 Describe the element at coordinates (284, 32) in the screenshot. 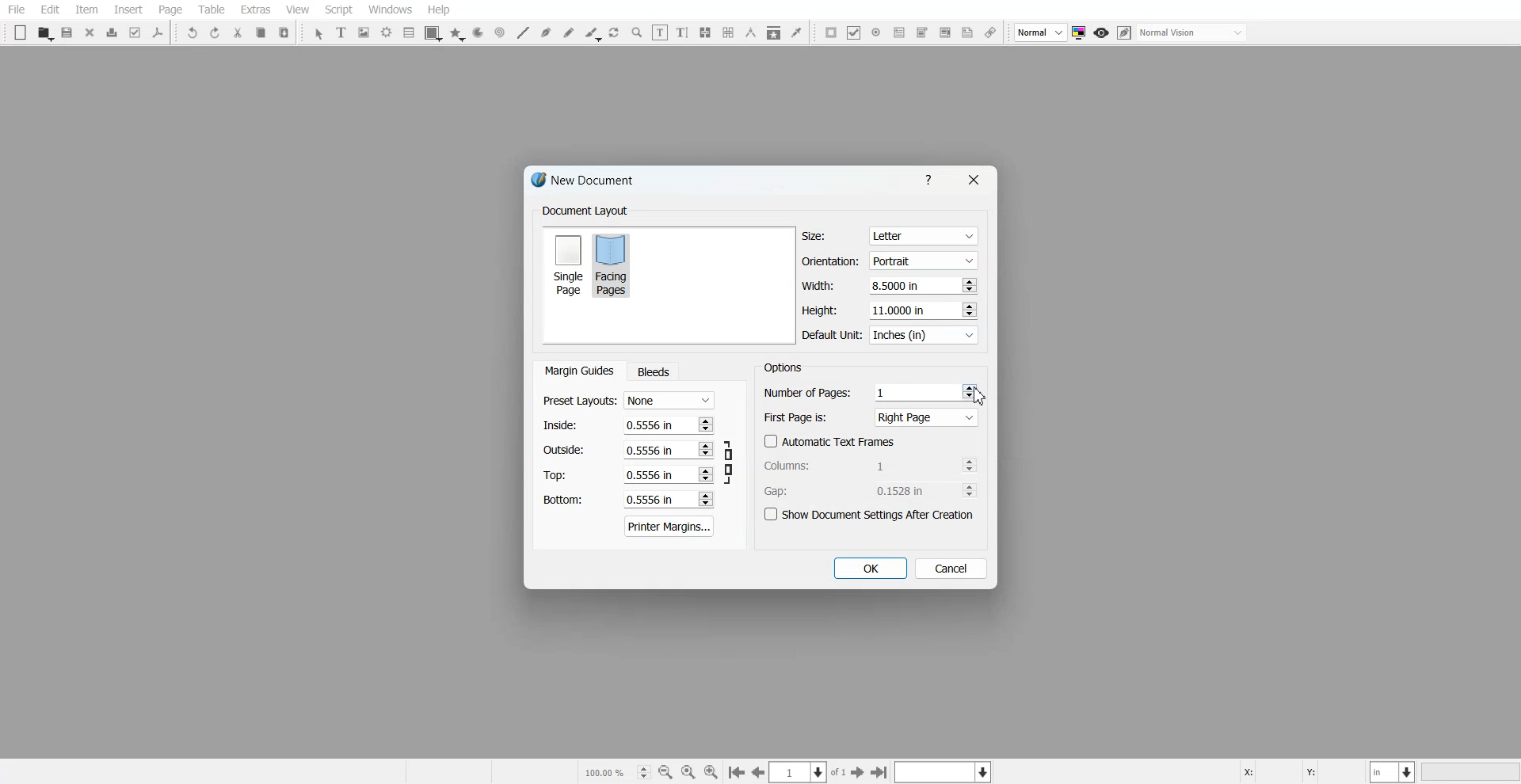

I see `Paste` at that location.